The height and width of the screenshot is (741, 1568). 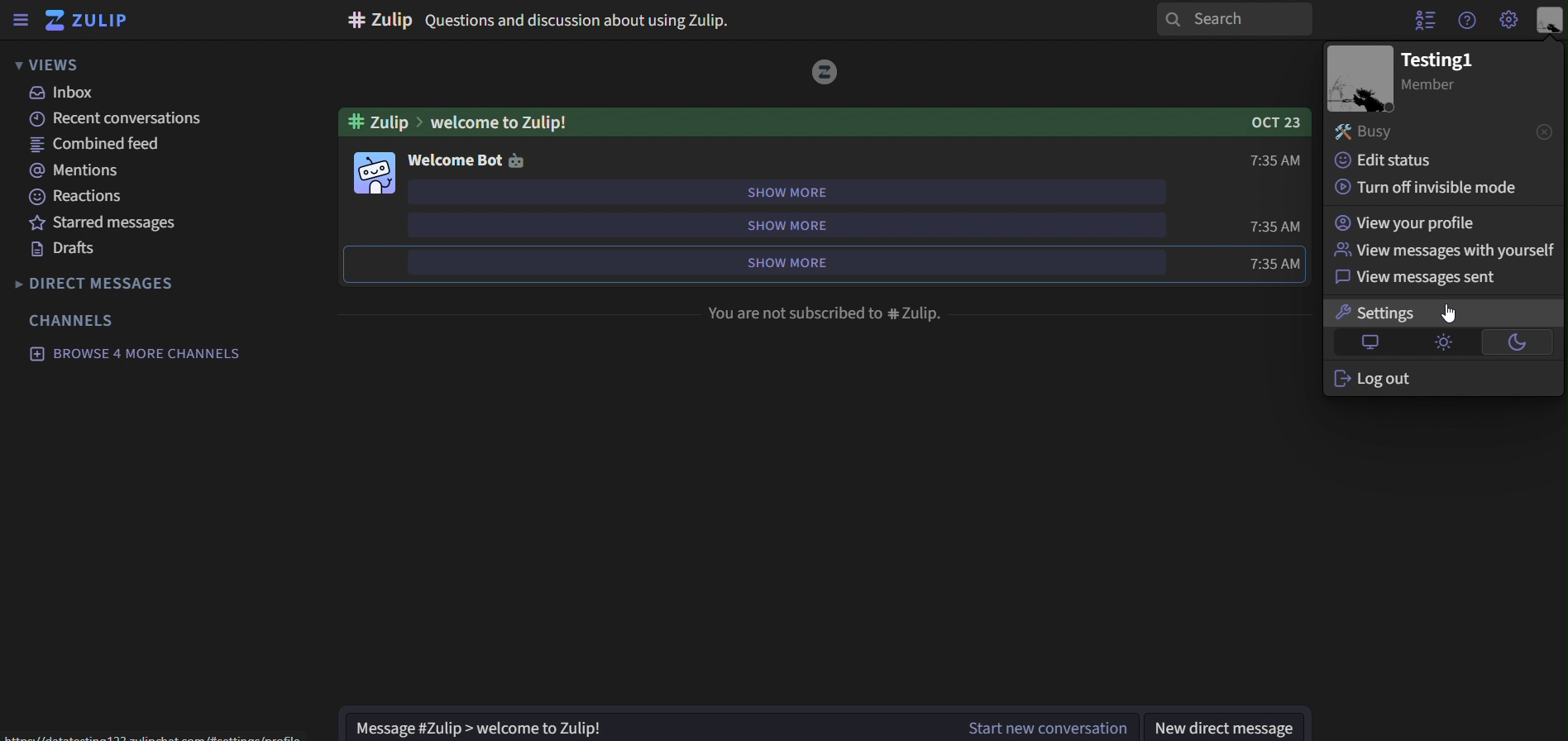 What do you see at coordinates (1394, 314) in the screenshot?
I see `settings` at bounding box center [1394, 314].